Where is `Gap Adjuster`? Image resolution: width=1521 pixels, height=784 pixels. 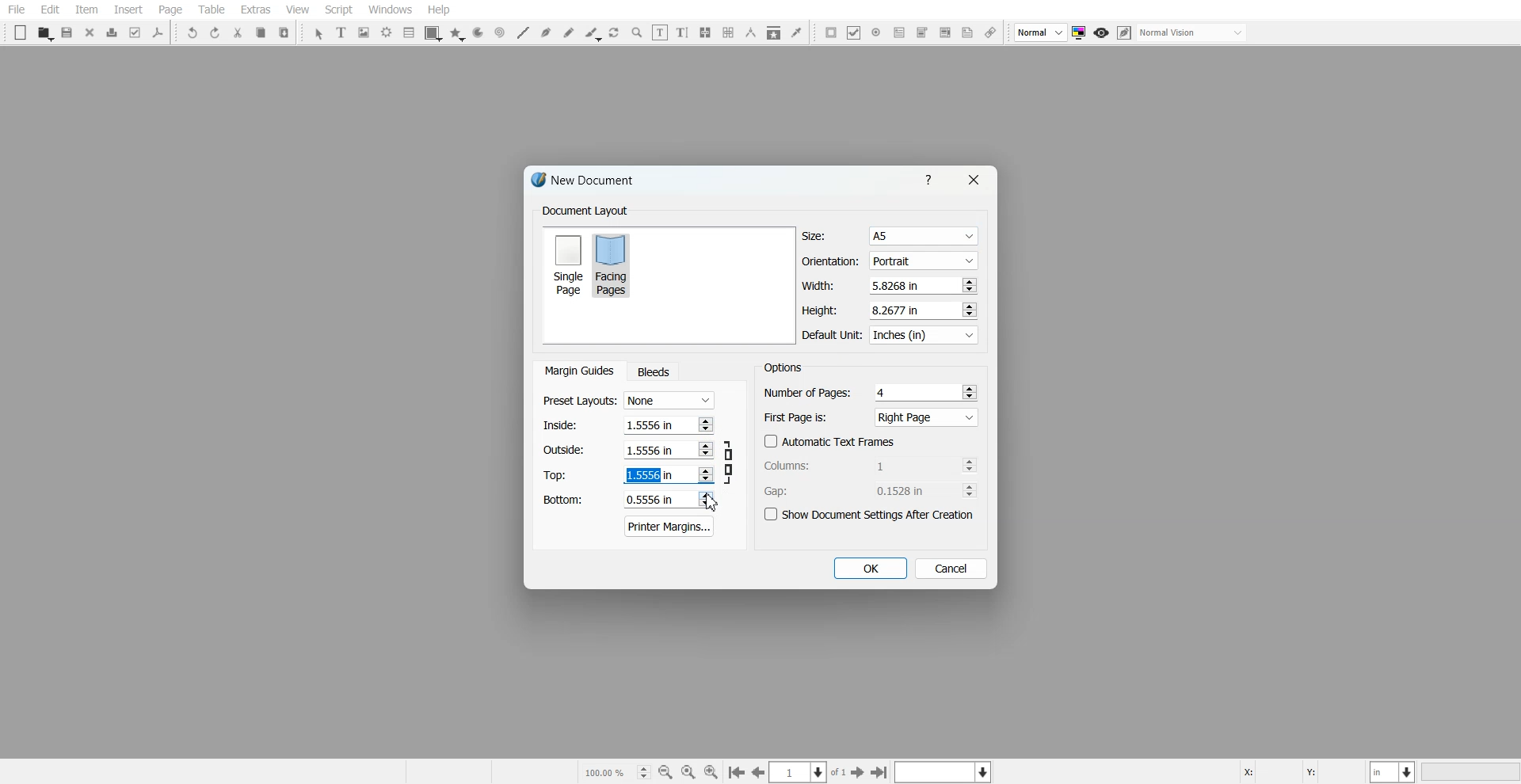 Gap Adjuster is located at coordinates (871, 490).